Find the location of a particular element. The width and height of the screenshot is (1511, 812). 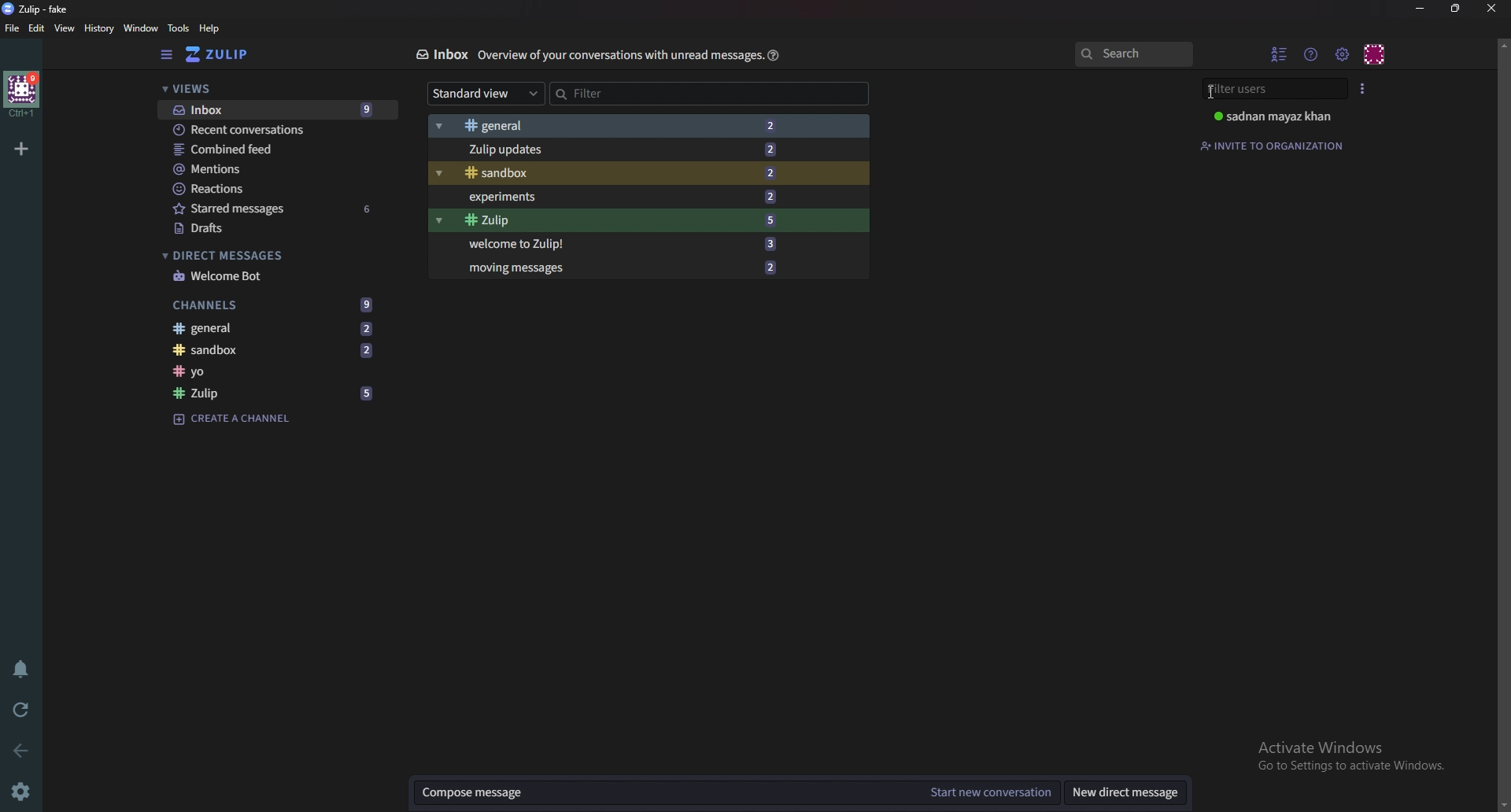

Reactions is located at coordinates (259, 189).